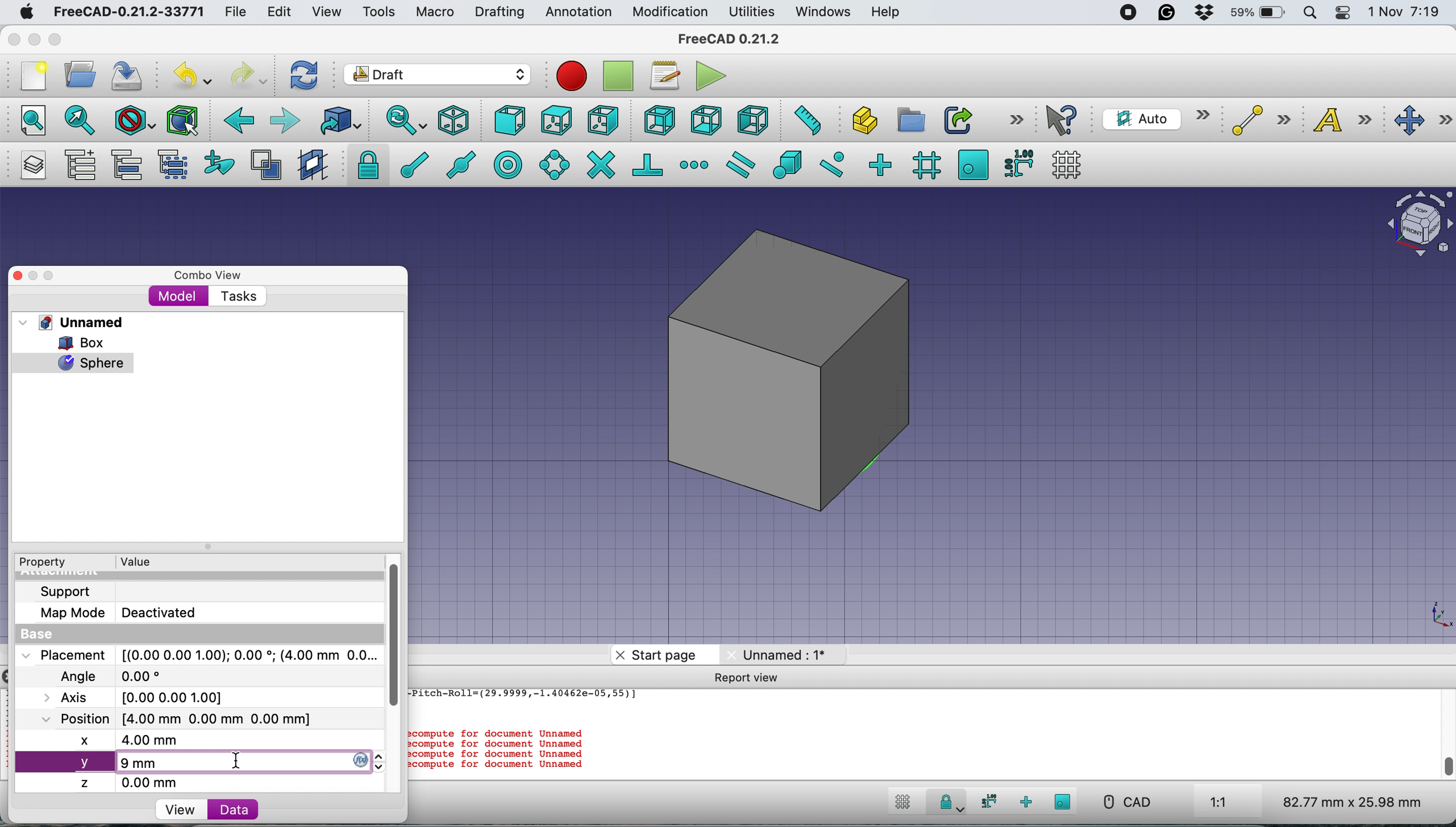  Describe the element at coordinates (706, 121) in the screenshot. I see `bottom` at that location.